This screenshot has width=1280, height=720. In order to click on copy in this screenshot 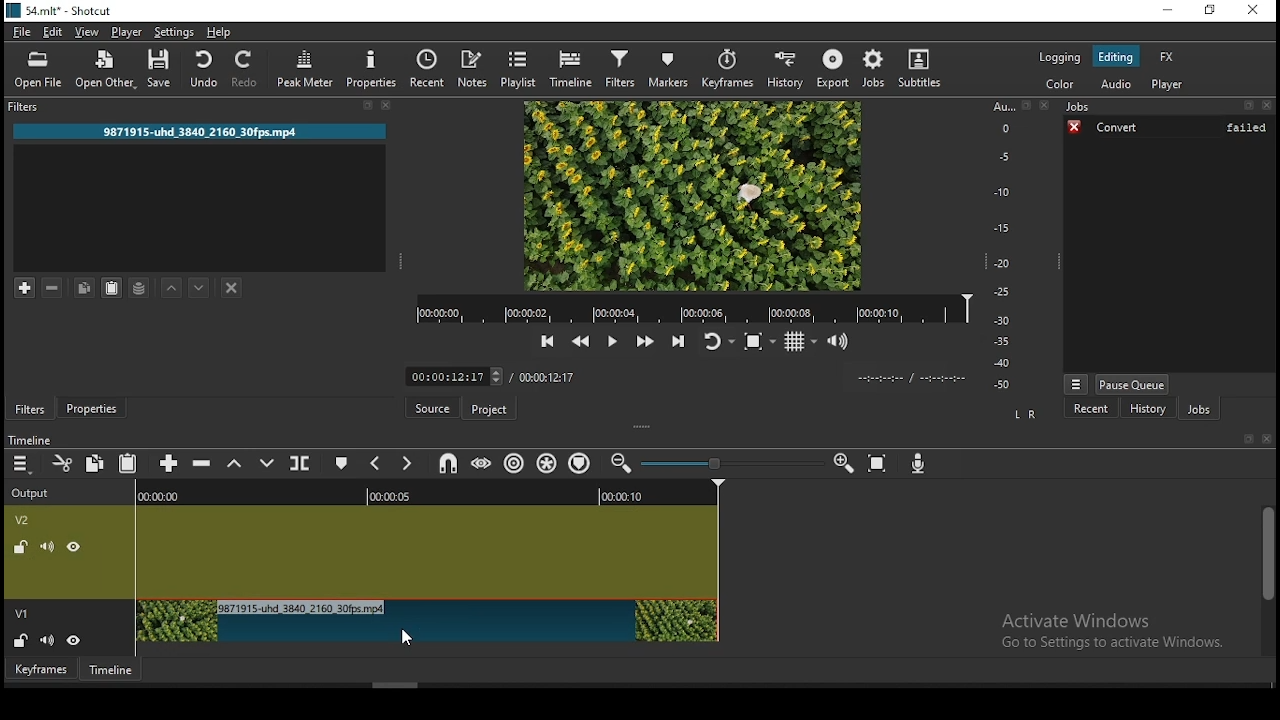, I will do `click(95, 462)`.